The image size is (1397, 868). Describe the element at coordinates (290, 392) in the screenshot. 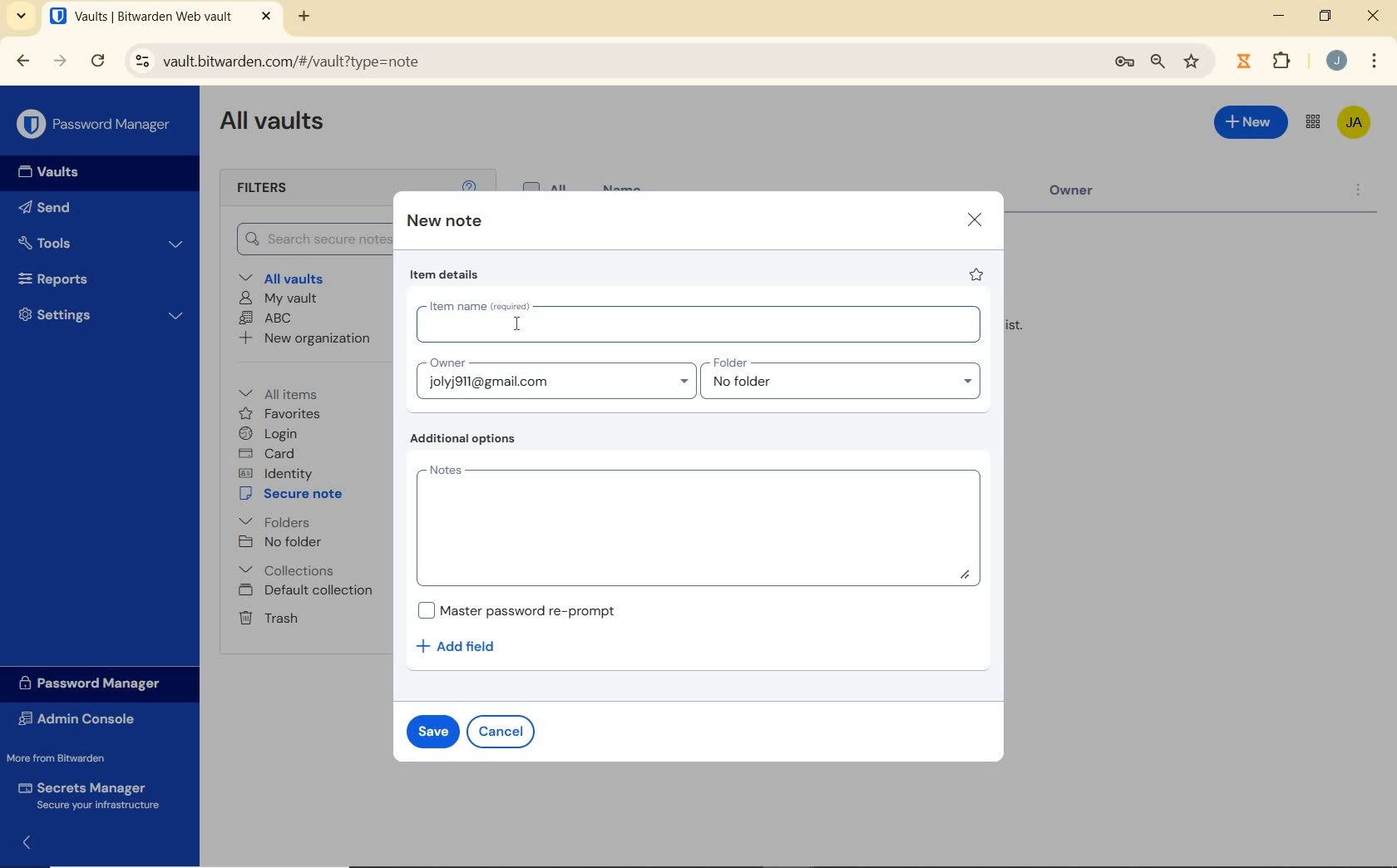

I see `All items` at that location.